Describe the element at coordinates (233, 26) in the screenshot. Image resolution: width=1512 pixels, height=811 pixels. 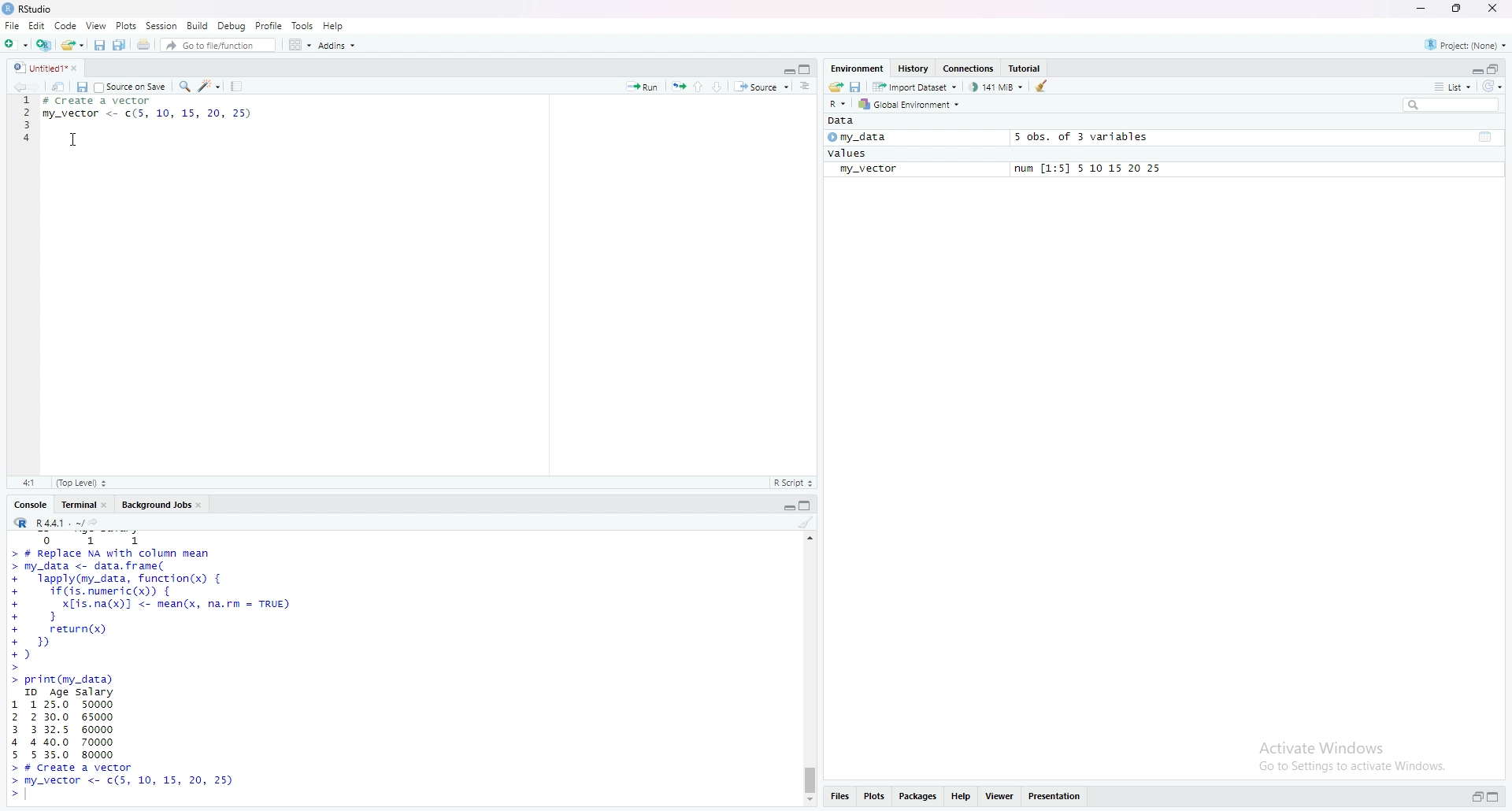
I see `Debug` at that location.